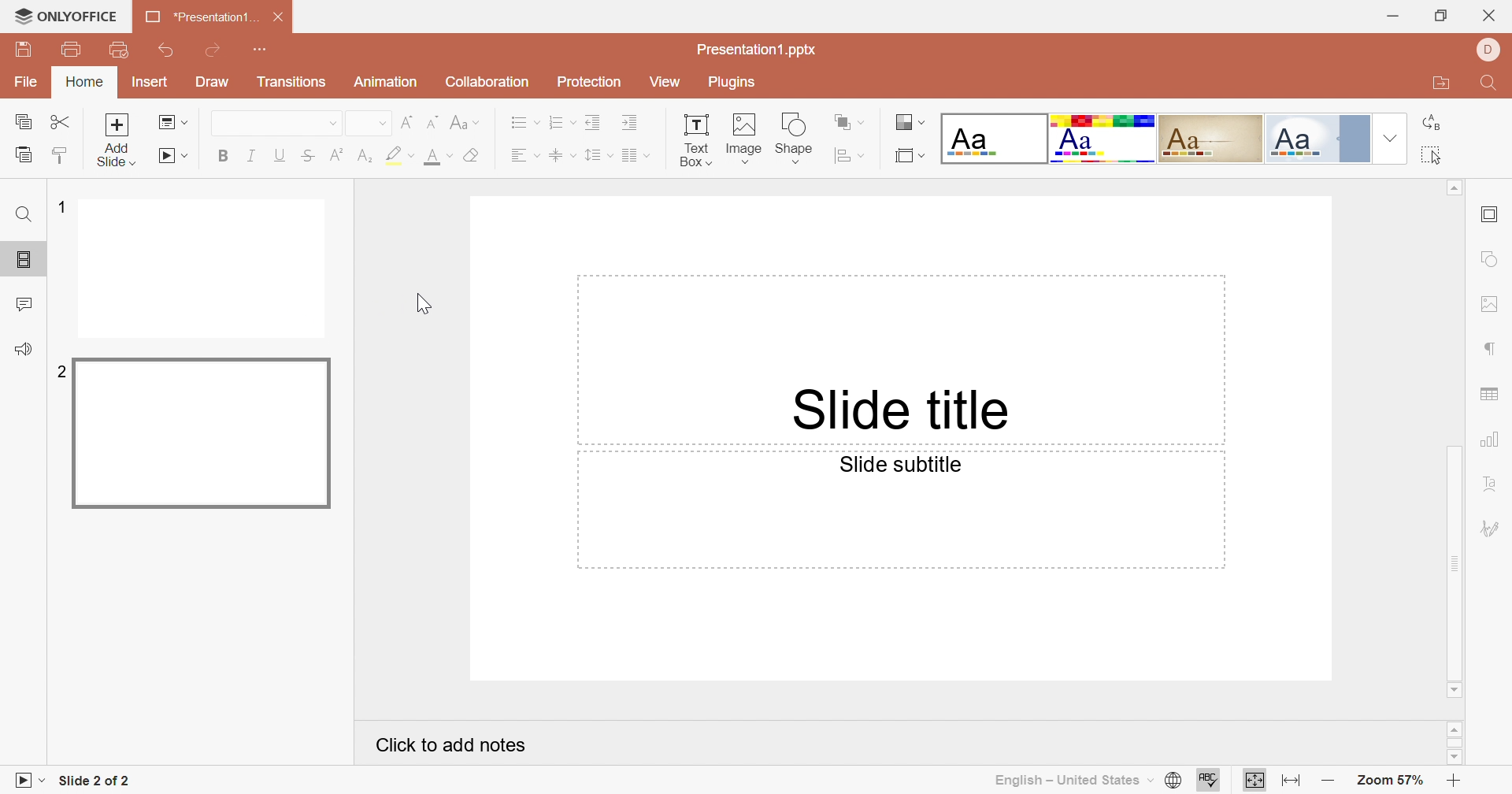 The image size is (1512, 794). What do you see at coordinates (407, 121) in the screenshot?
I see `Increment Font Size` at bounding box center [407, 121].